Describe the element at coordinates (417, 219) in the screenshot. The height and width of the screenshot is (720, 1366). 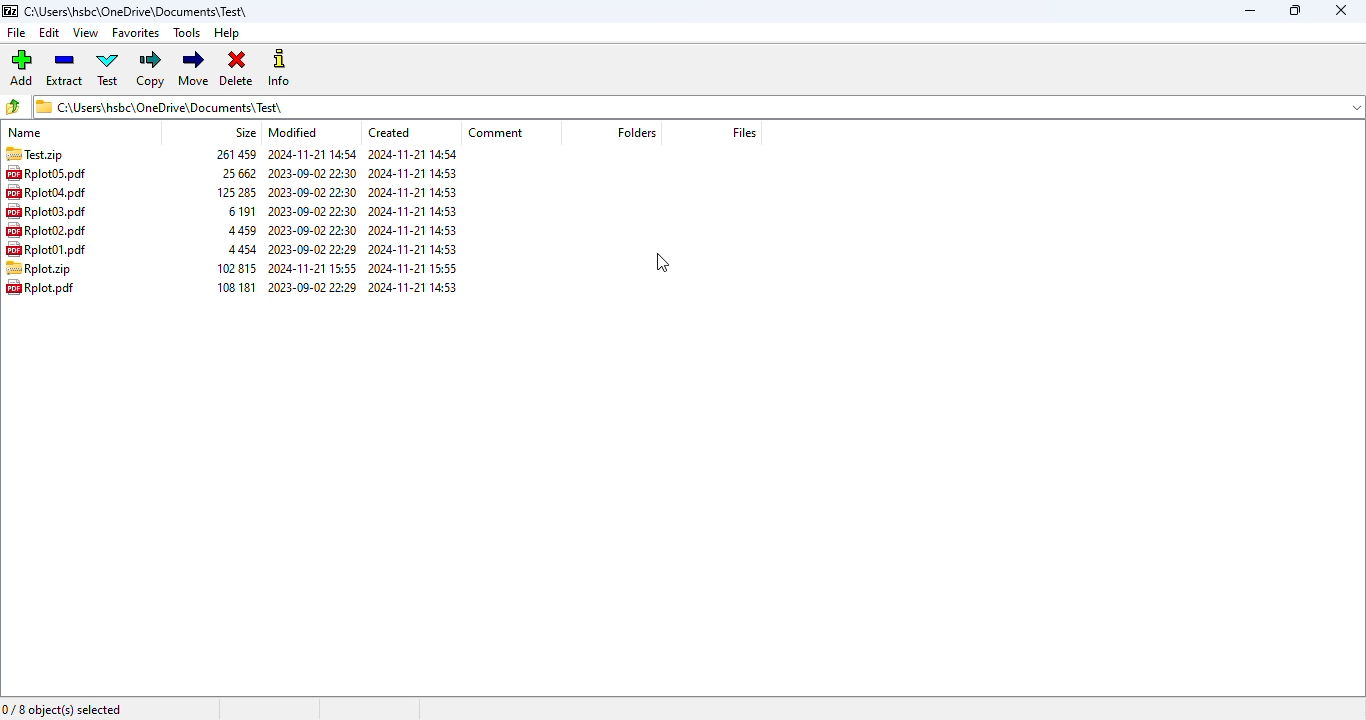
I see `created date & time` at that location.